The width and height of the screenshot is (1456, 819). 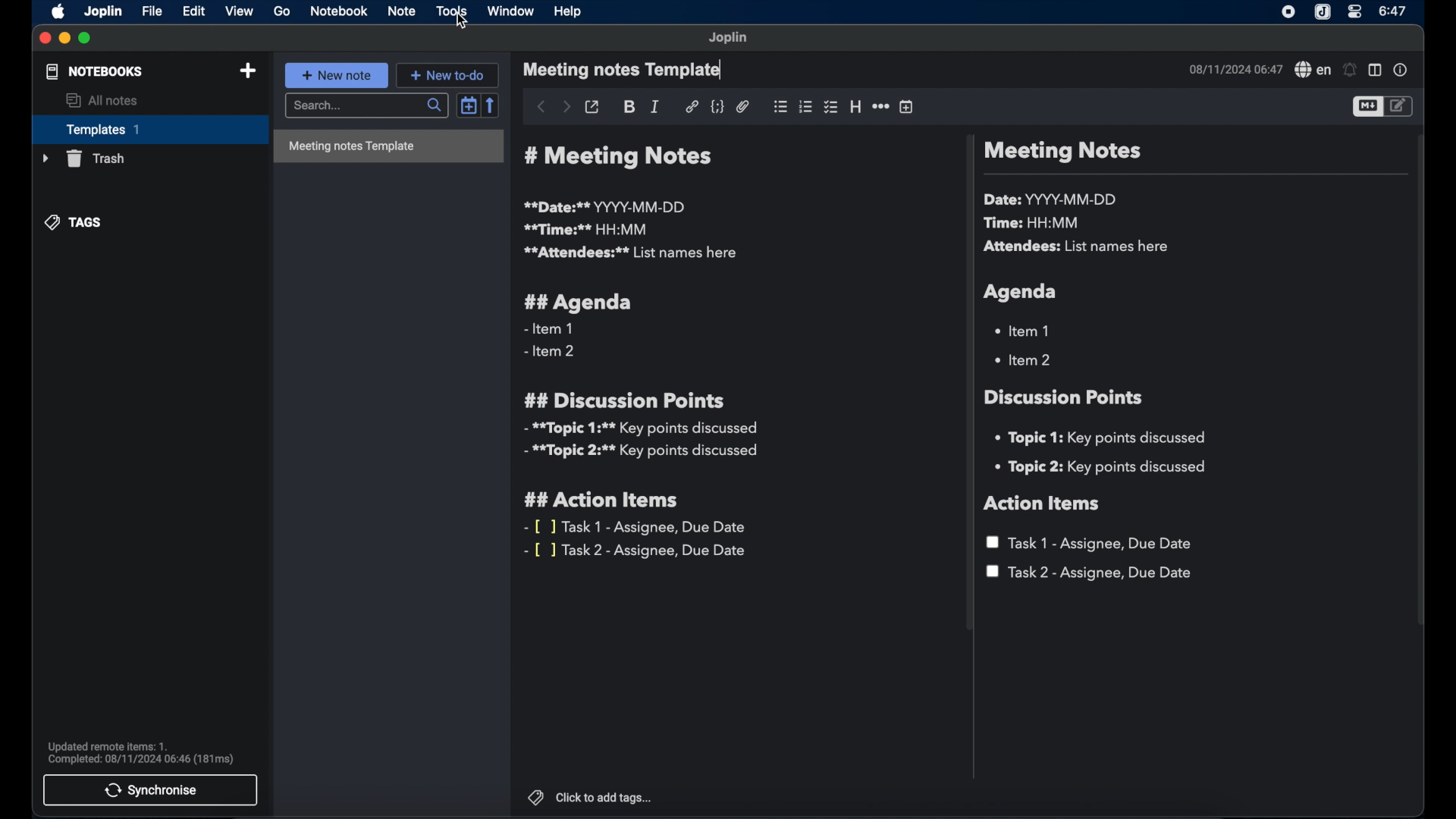 What do you see at coordinates (193, 11) in the screenshot?
I see `edit` at bounding box center [193, 11].